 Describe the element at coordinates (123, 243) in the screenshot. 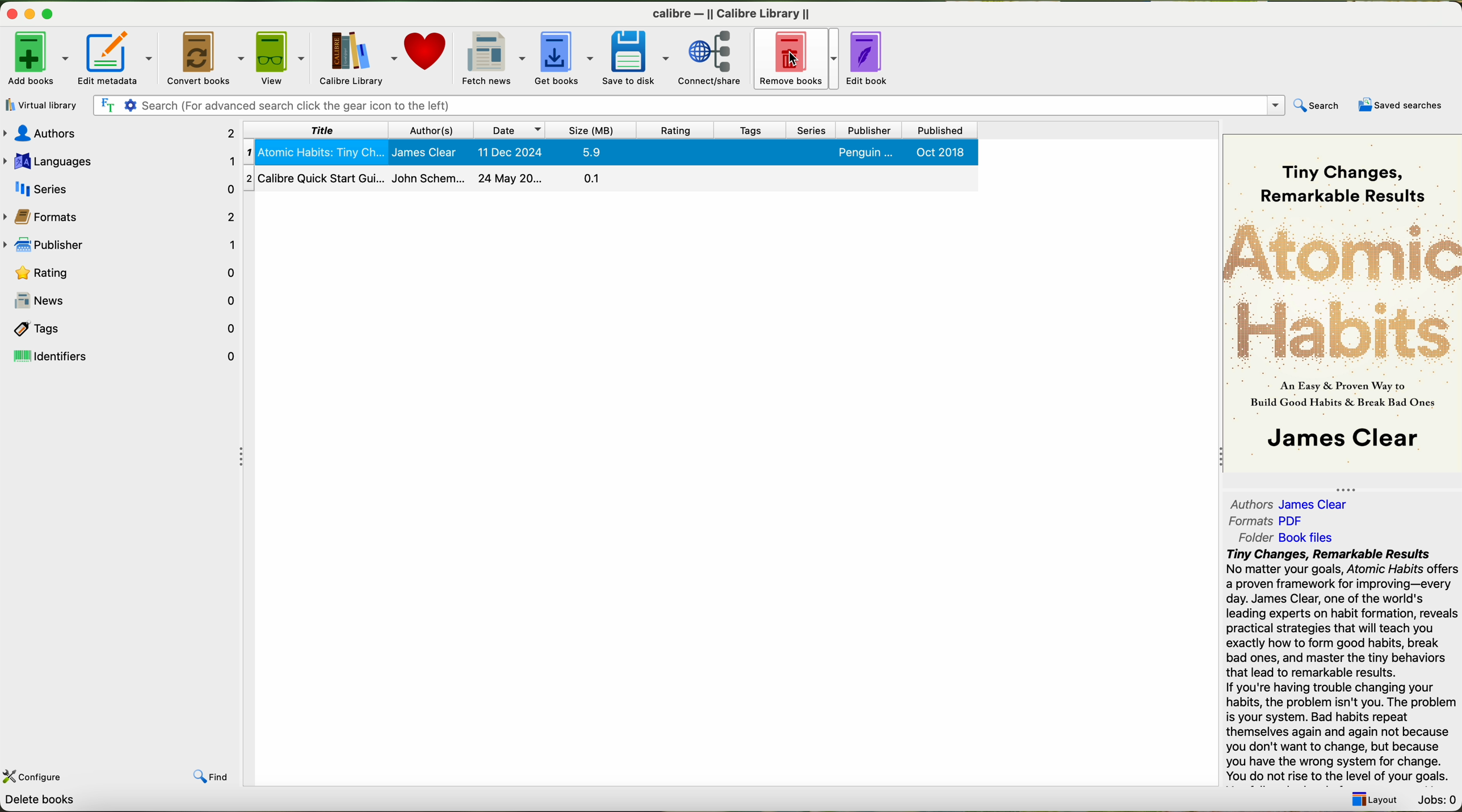

I see `publisher` at that location.